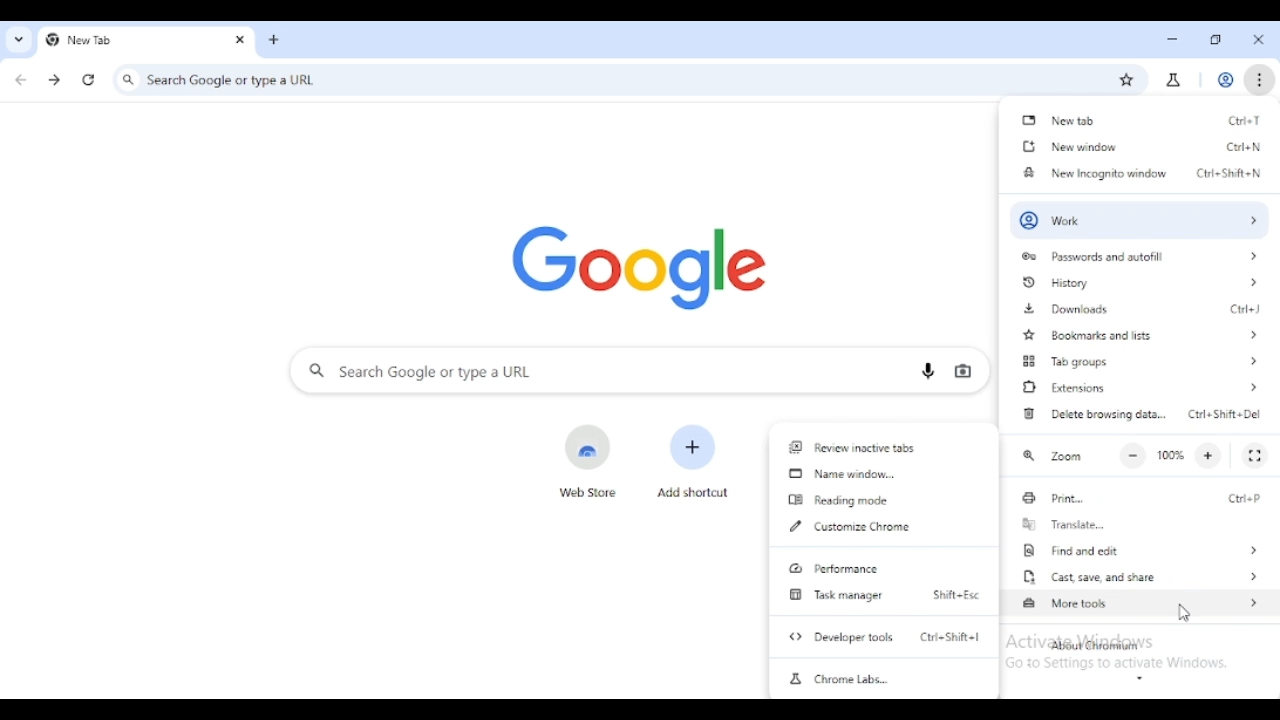 This screenshot has height=720, width=1280. What do you see at coordinates (1066, 309) in the screenshot?
I see `downloads` at bounding box center [1066, 309].